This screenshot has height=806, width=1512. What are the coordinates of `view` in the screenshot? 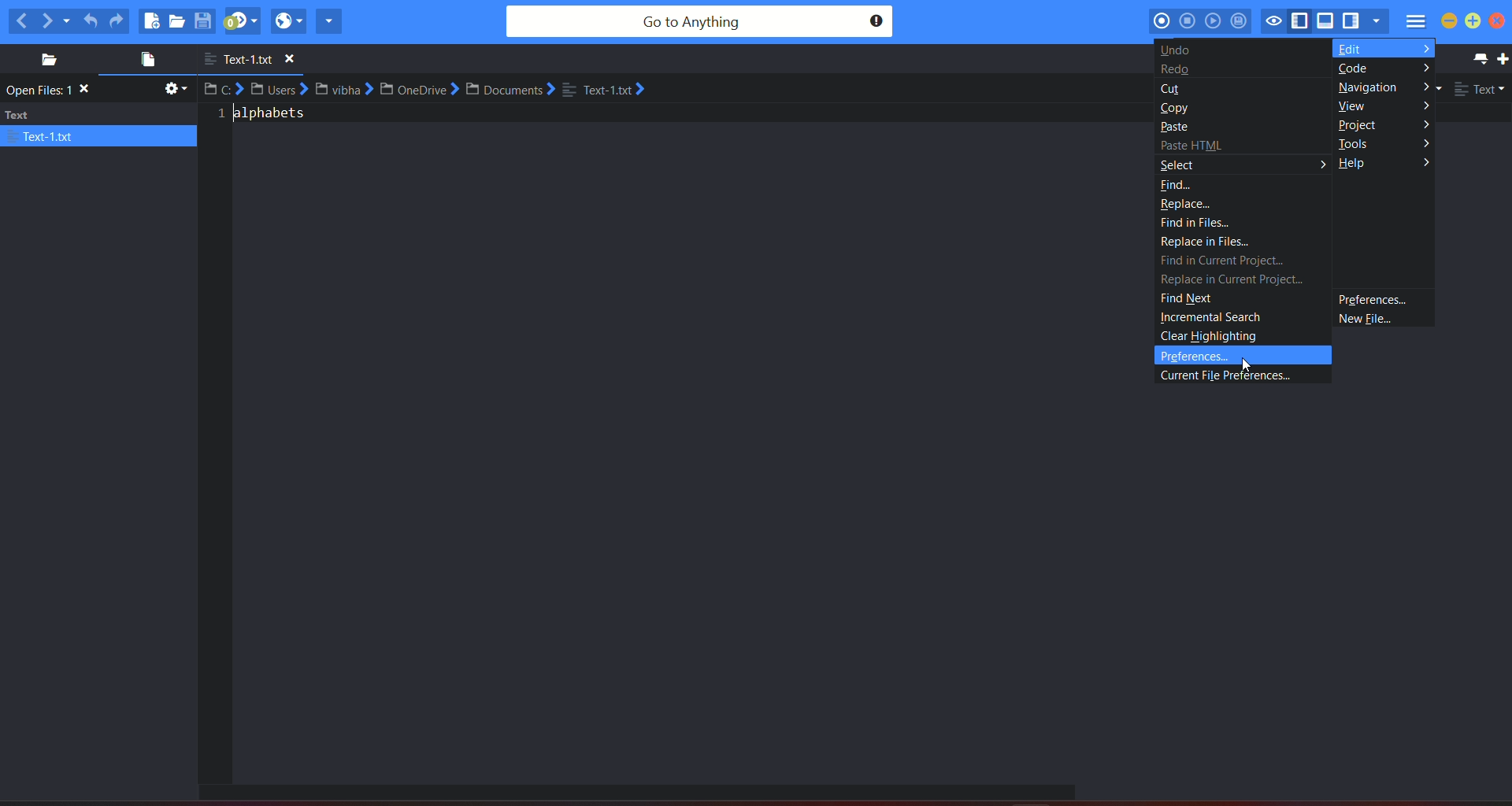 It's located at (1355, 105).